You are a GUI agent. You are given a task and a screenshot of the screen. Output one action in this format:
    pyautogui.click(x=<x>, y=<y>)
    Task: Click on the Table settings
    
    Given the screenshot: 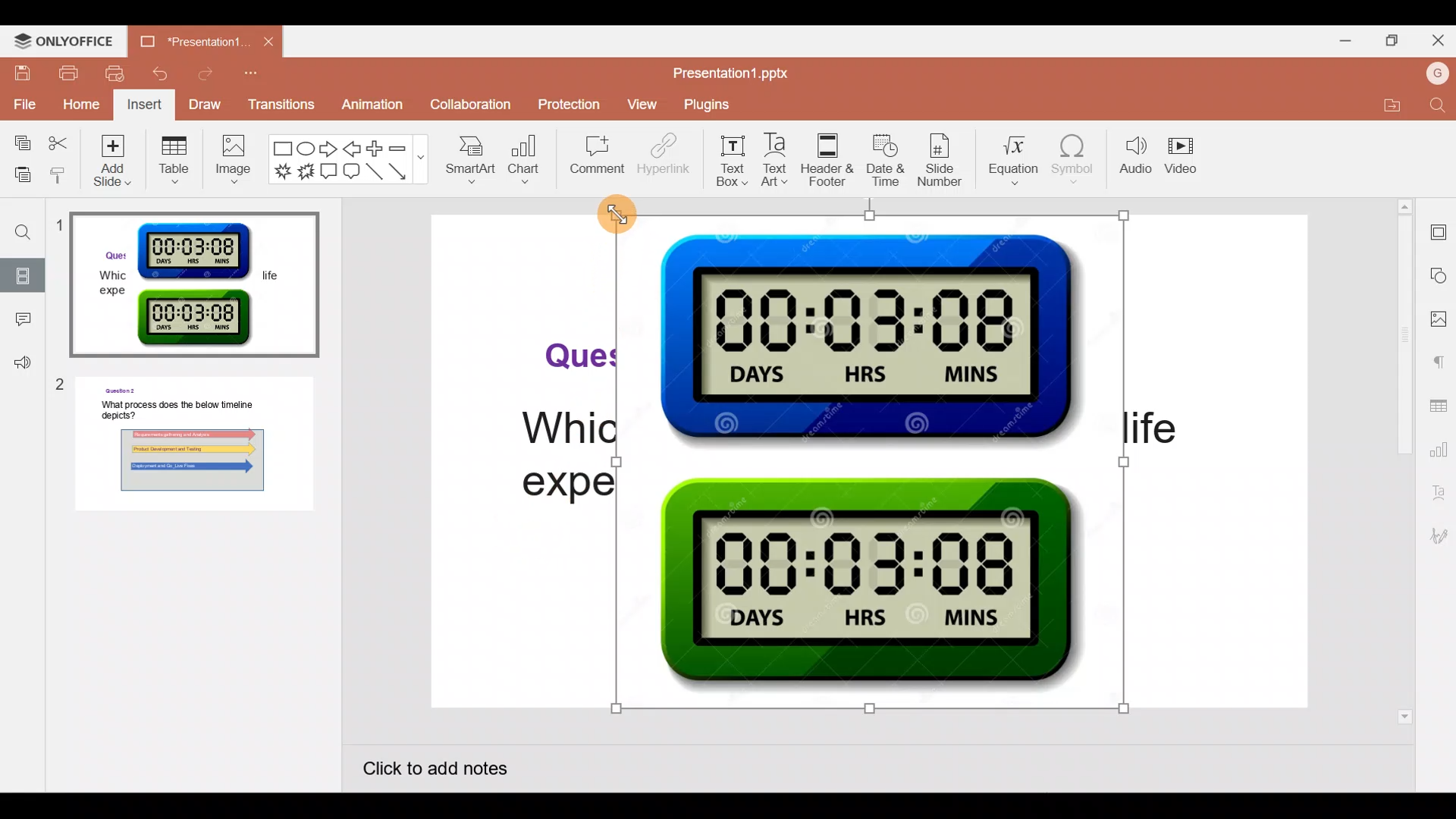 What is the action you would take?
    pyautogui.click(x=1438, y=408)
    